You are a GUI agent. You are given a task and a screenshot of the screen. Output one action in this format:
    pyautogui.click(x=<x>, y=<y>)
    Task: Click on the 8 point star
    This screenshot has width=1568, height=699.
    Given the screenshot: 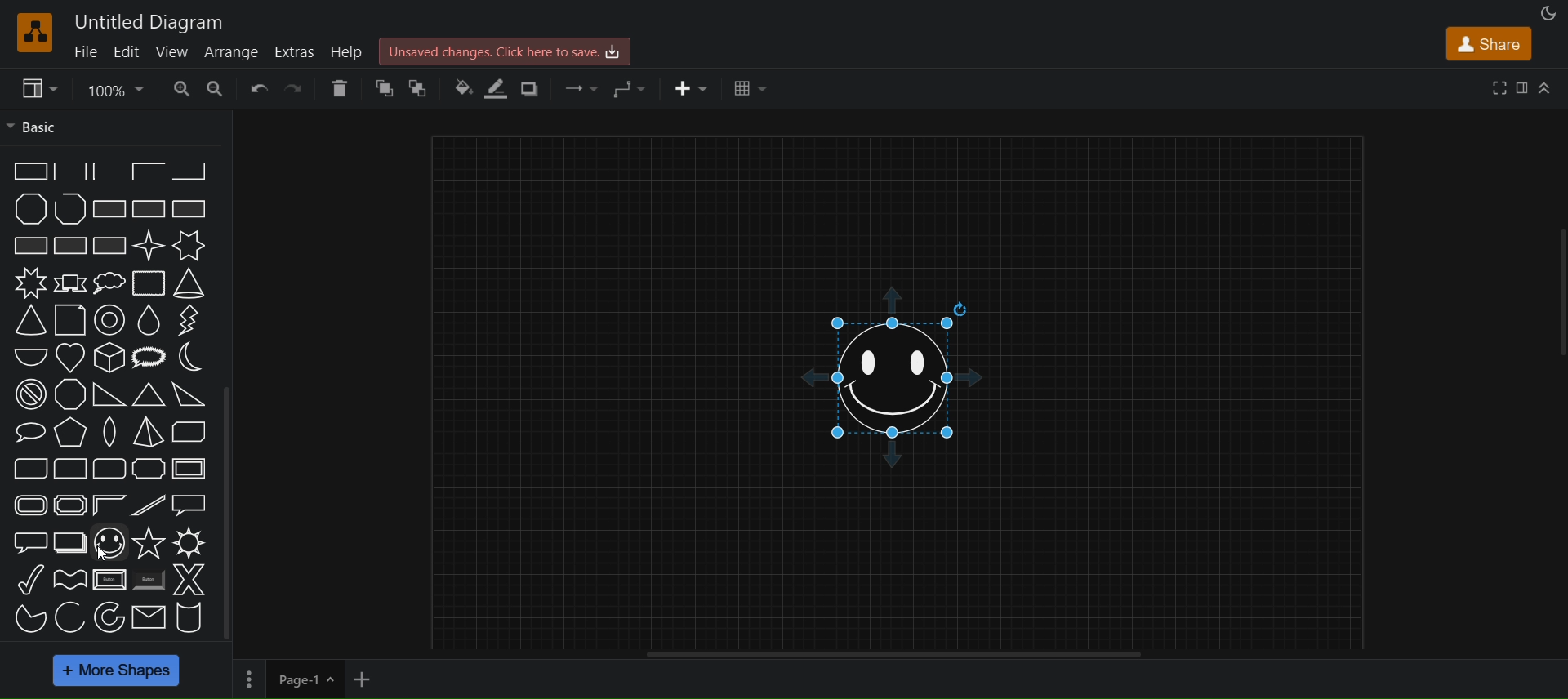 What is the action you would take?
    pyautogui.click(x=30, y=282)
    